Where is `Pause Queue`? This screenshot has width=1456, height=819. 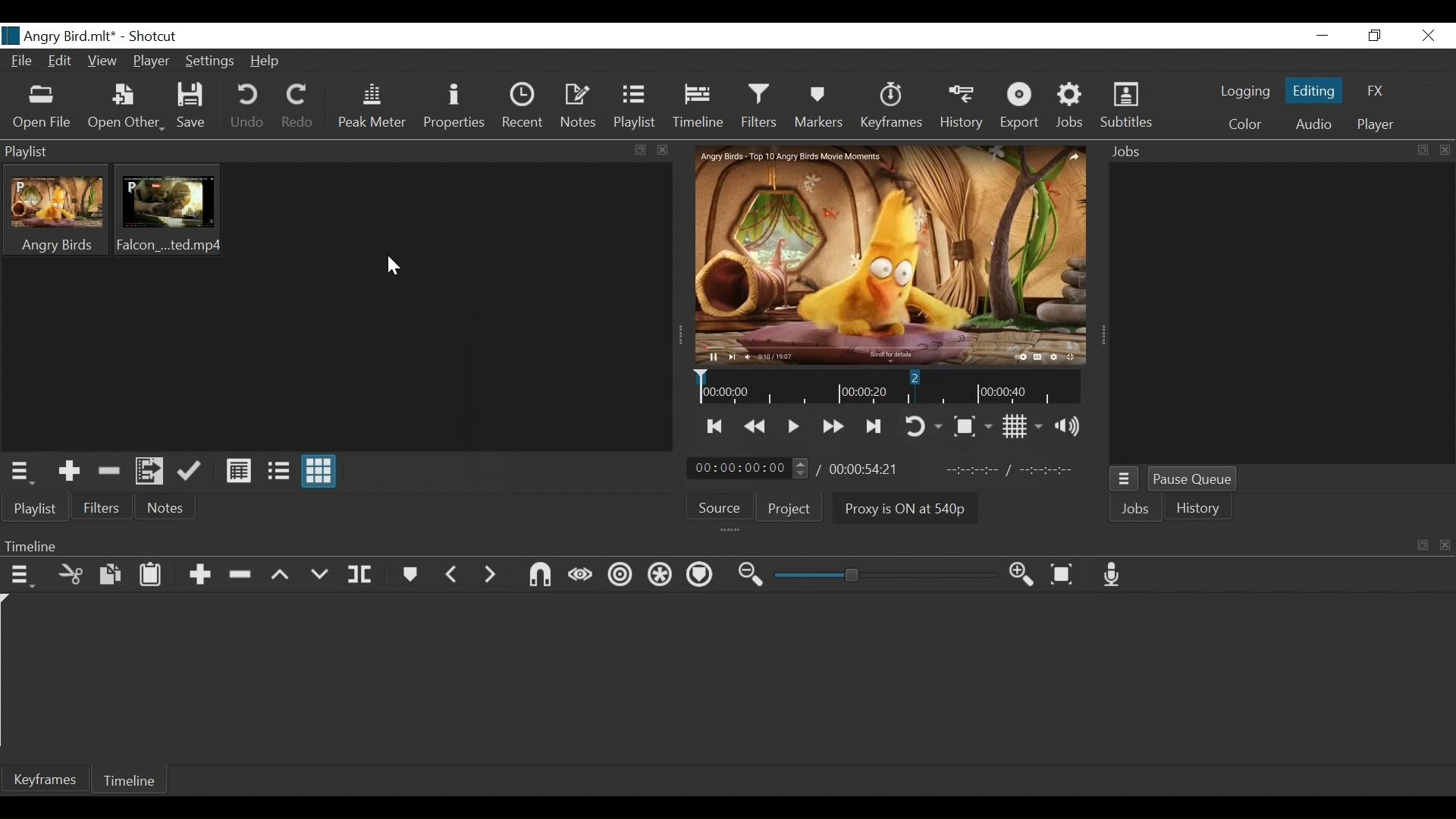 Pause Queue is located at coordinates (1194, 480).